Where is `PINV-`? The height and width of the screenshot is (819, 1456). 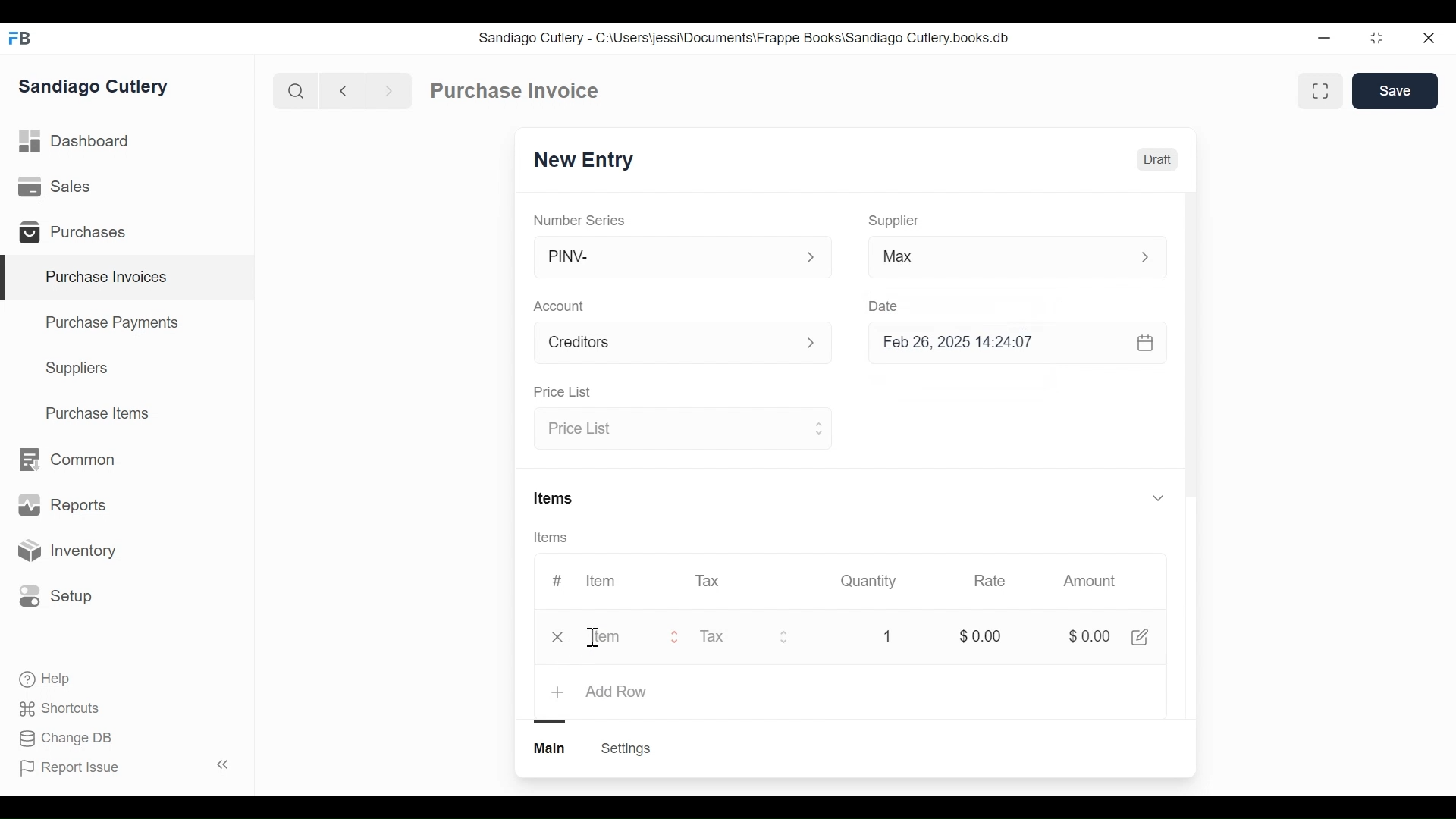 PINV- is located at coordinates (664, 257).